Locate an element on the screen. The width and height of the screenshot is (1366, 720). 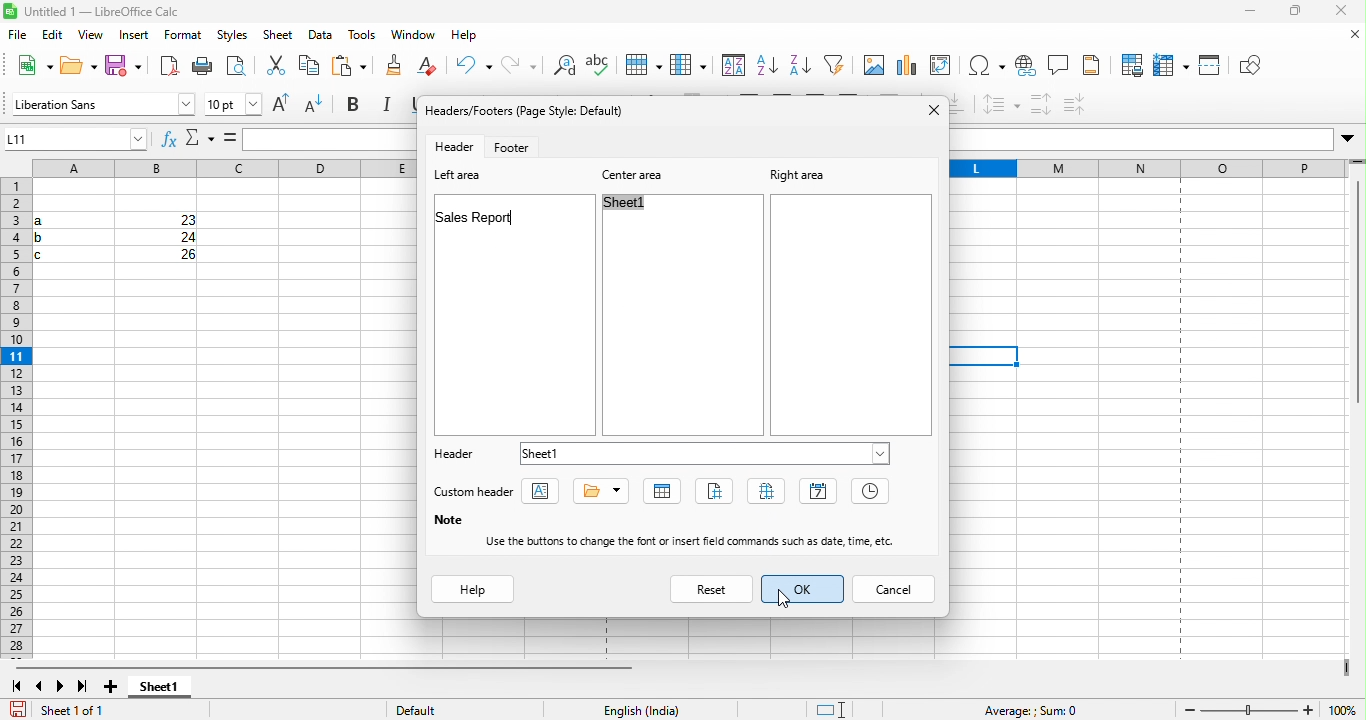
close is located at coordinates (928, 113).